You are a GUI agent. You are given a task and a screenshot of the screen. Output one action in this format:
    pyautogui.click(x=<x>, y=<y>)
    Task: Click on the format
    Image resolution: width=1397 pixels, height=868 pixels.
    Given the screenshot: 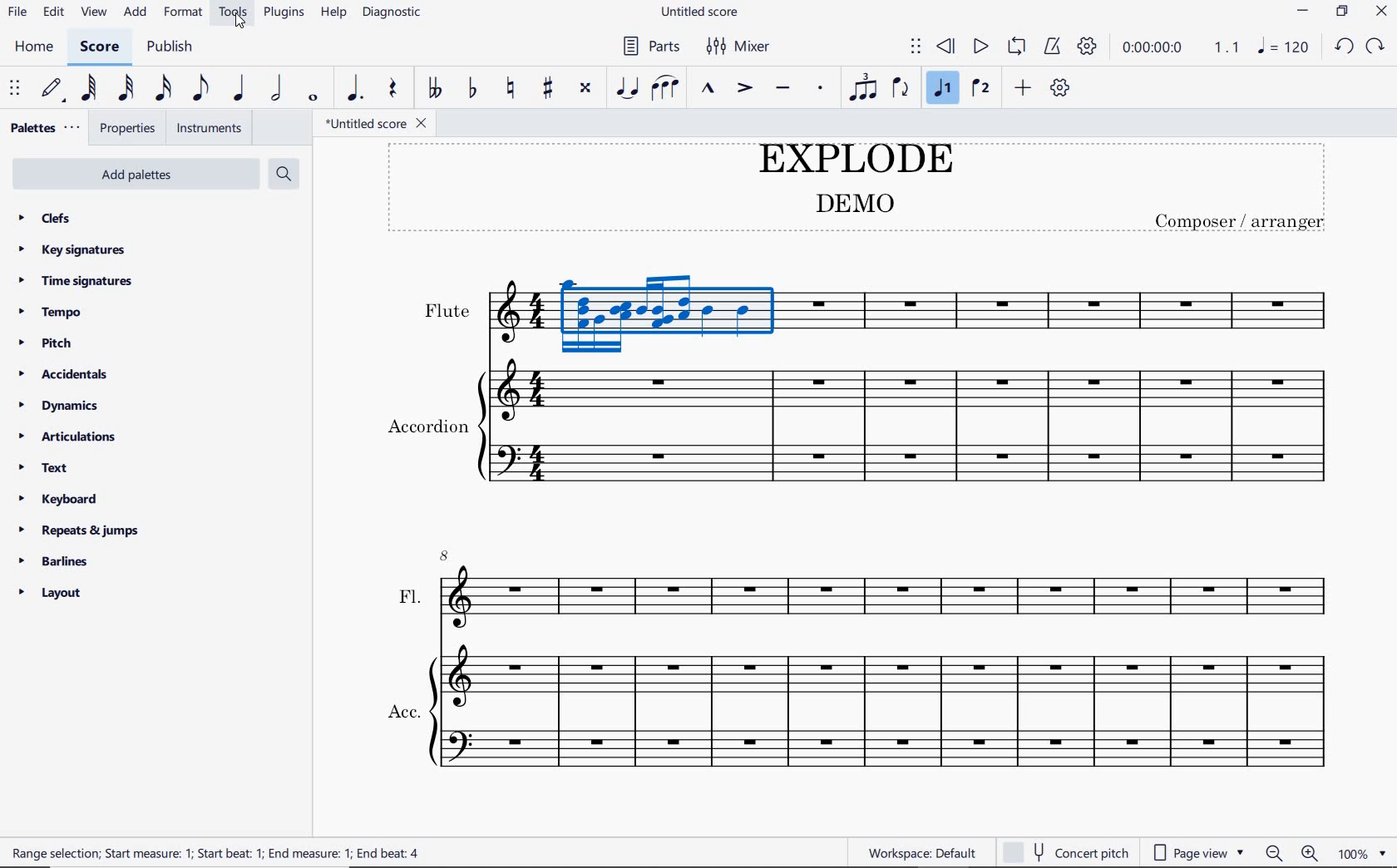 What is the action you would take?
    pyautogui.click(x=183, y=13)
    